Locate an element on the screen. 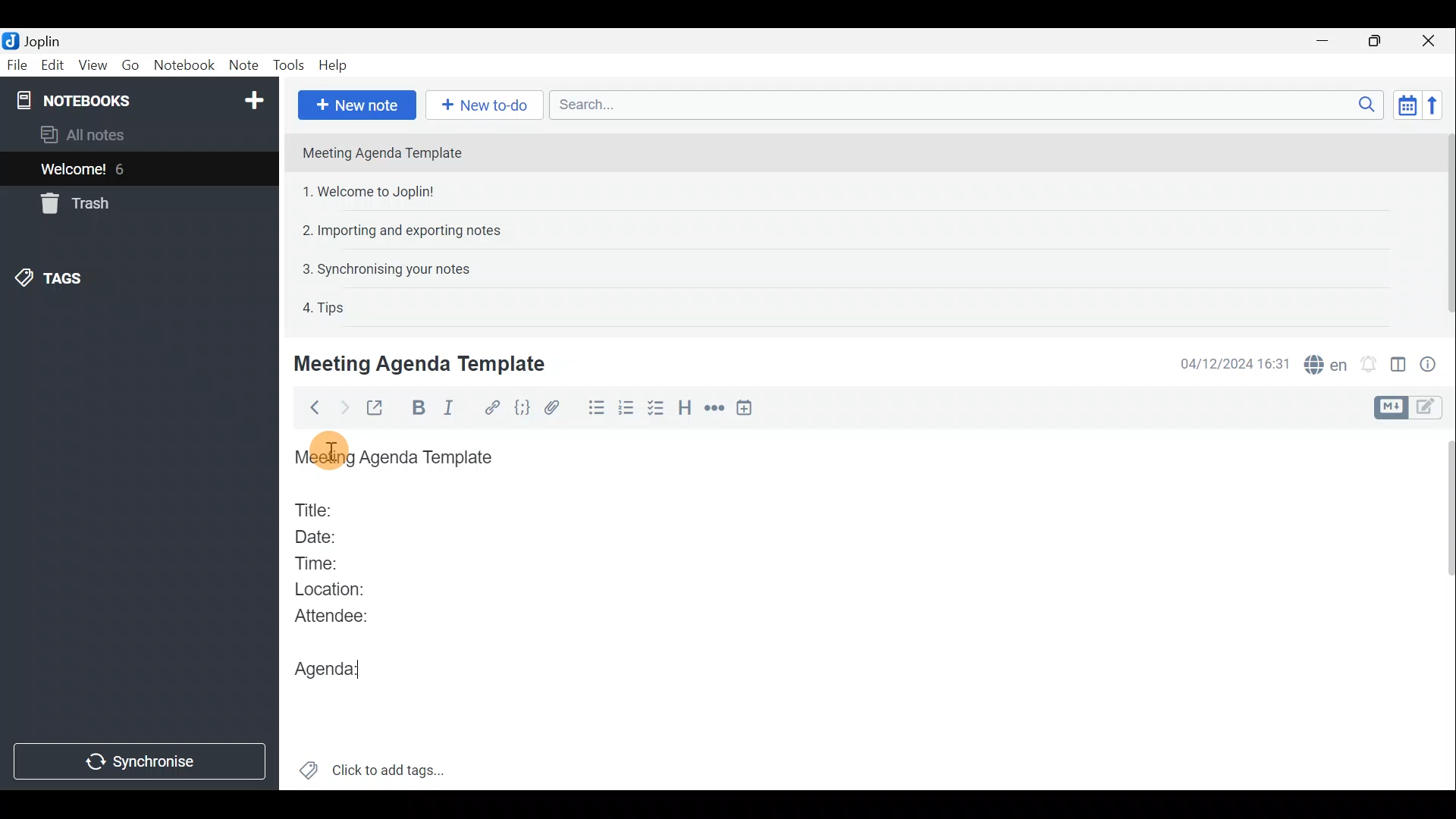  Toggle external editing is located at coordinates (379, 409).